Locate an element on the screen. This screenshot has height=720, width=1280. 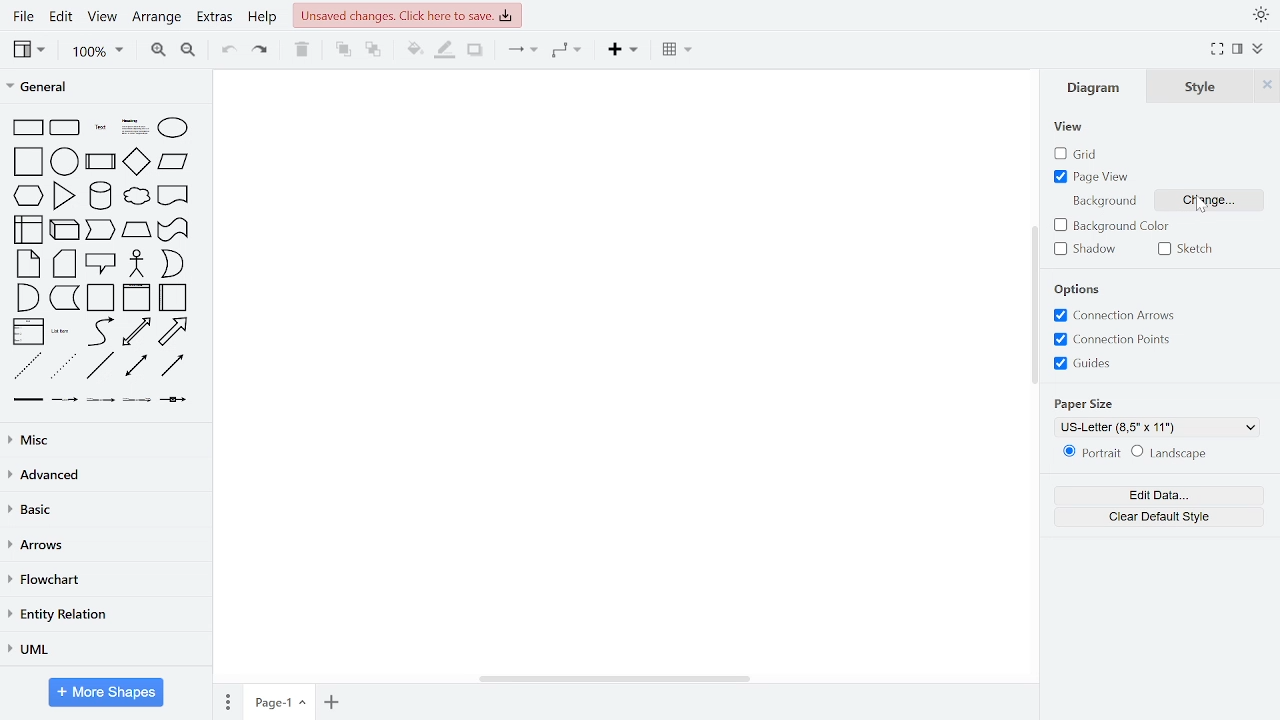
shadow is located at coordinates (477, 51).